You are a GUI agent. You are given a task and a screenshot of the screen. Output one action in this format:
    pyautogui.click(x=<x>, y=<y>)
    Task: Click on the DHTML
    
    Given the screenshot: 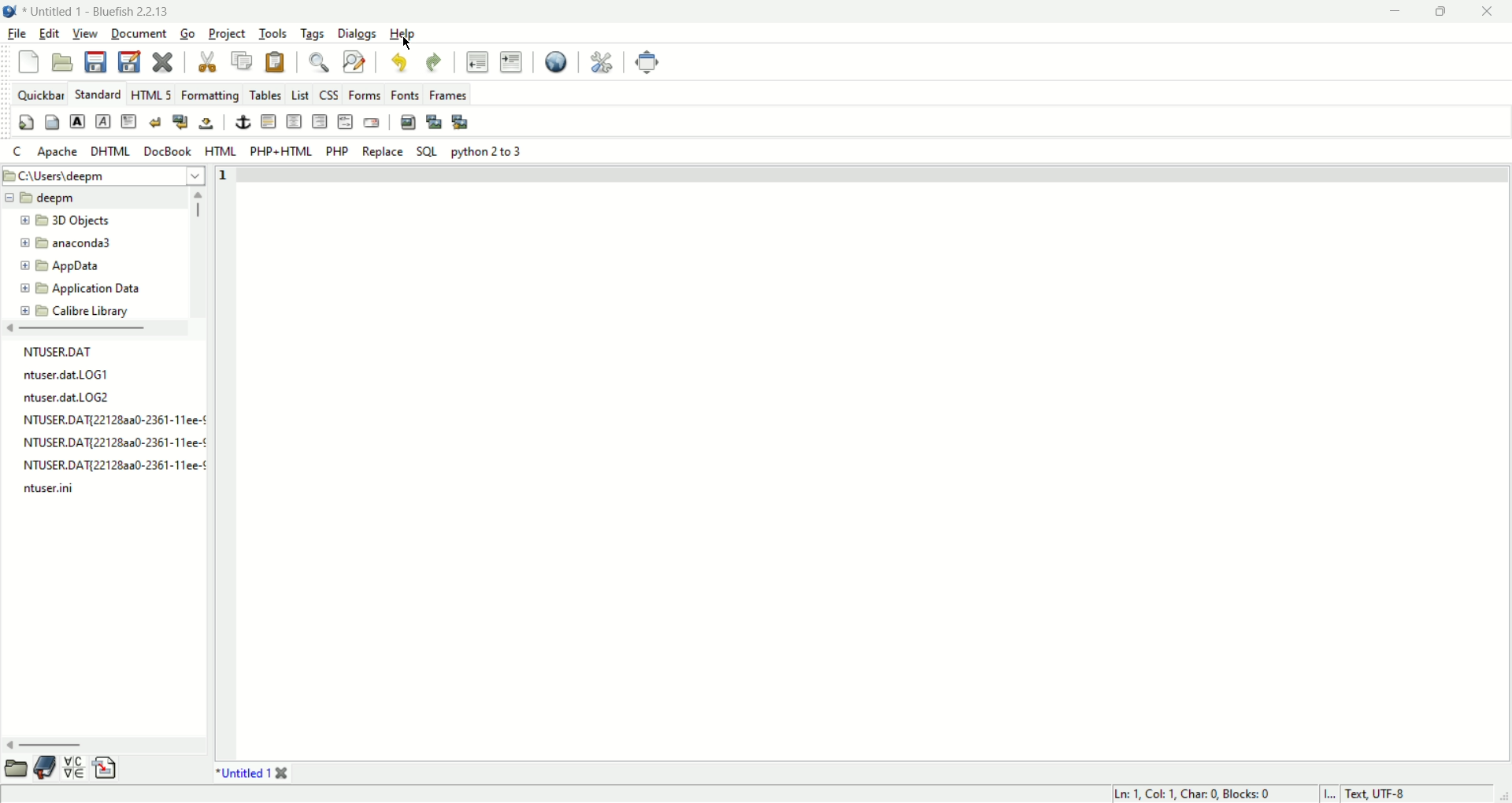 What is the action you would take?
    pyautogui.click(x=111, y=153)
    